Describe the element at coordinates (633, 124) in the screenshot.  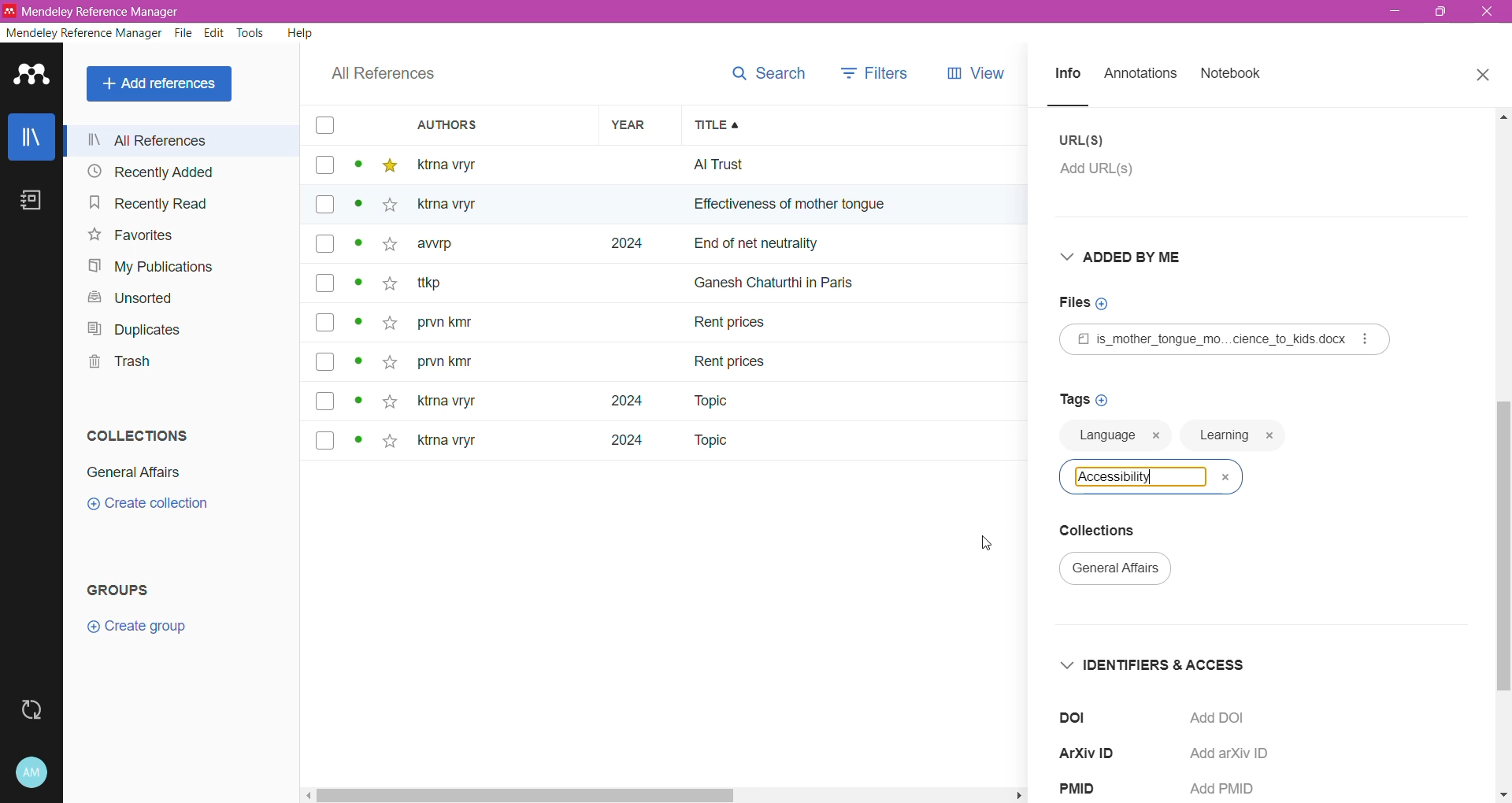
I see `Year` at that location.